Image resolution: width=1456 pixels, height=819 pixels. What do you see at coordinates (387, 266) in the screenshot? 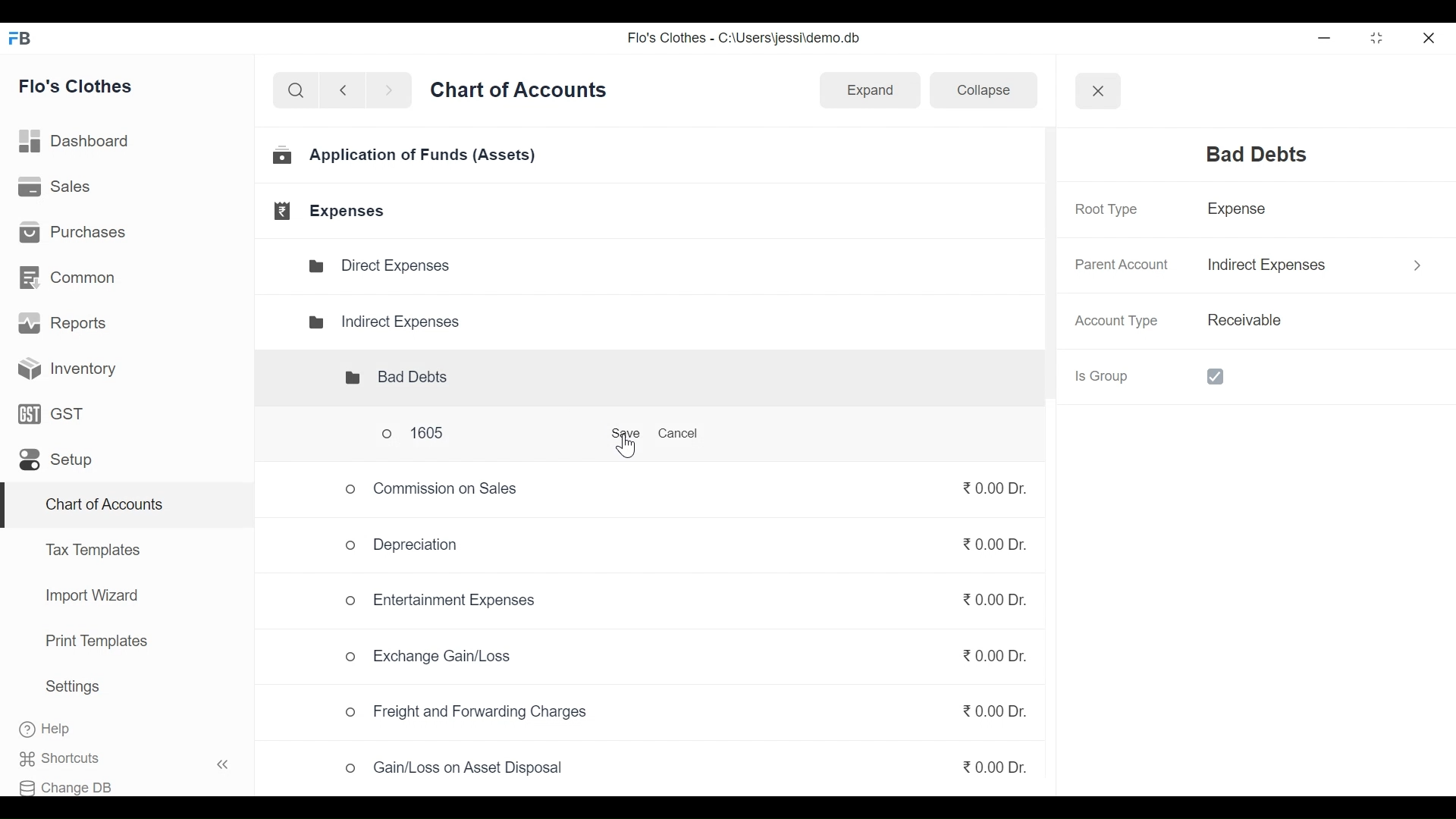
I see `Direct Expenses` at bounding box center [387, 266].